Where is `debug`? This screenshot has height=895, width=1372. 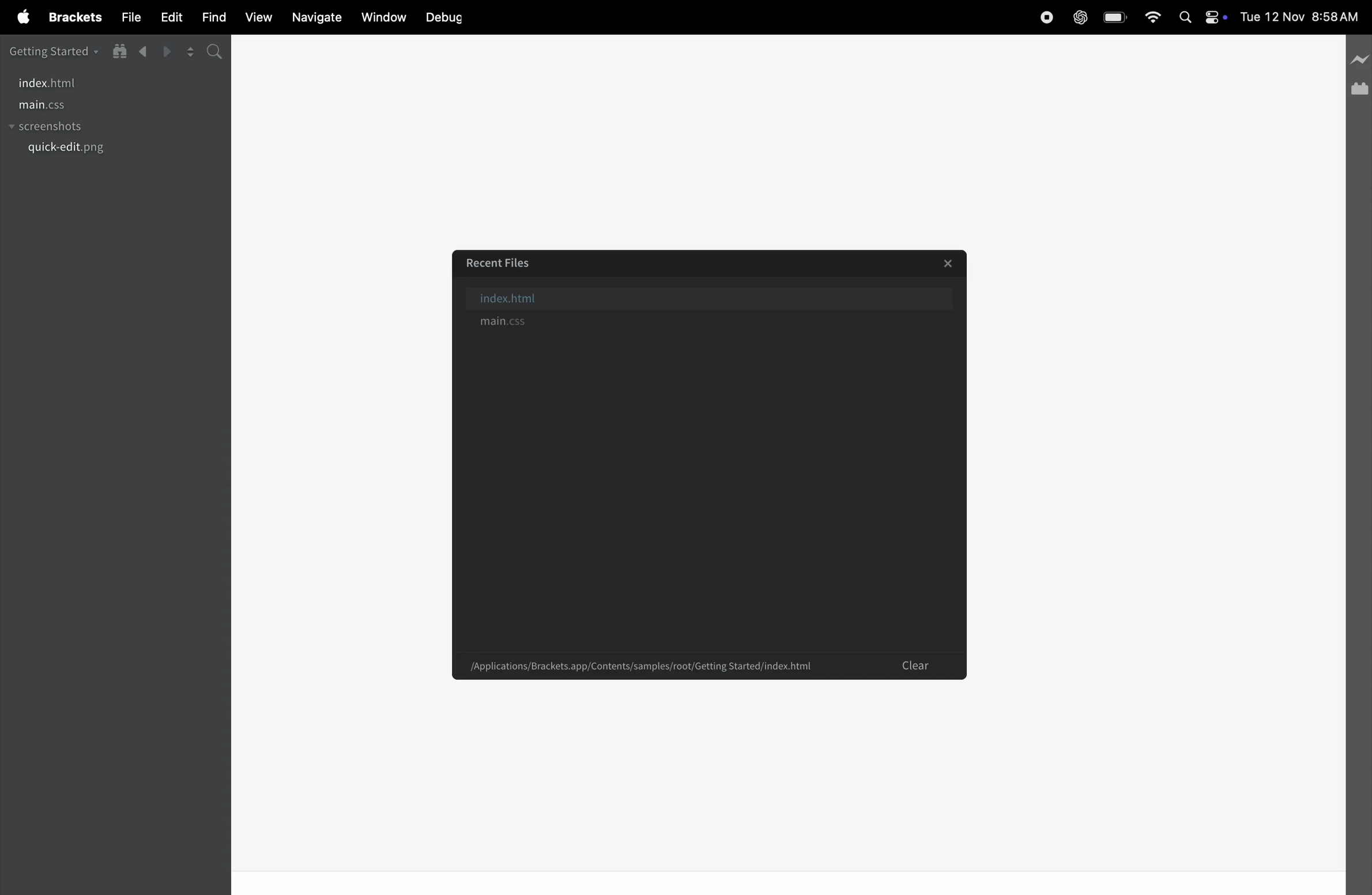
debug is located at coordinates (446, 17).